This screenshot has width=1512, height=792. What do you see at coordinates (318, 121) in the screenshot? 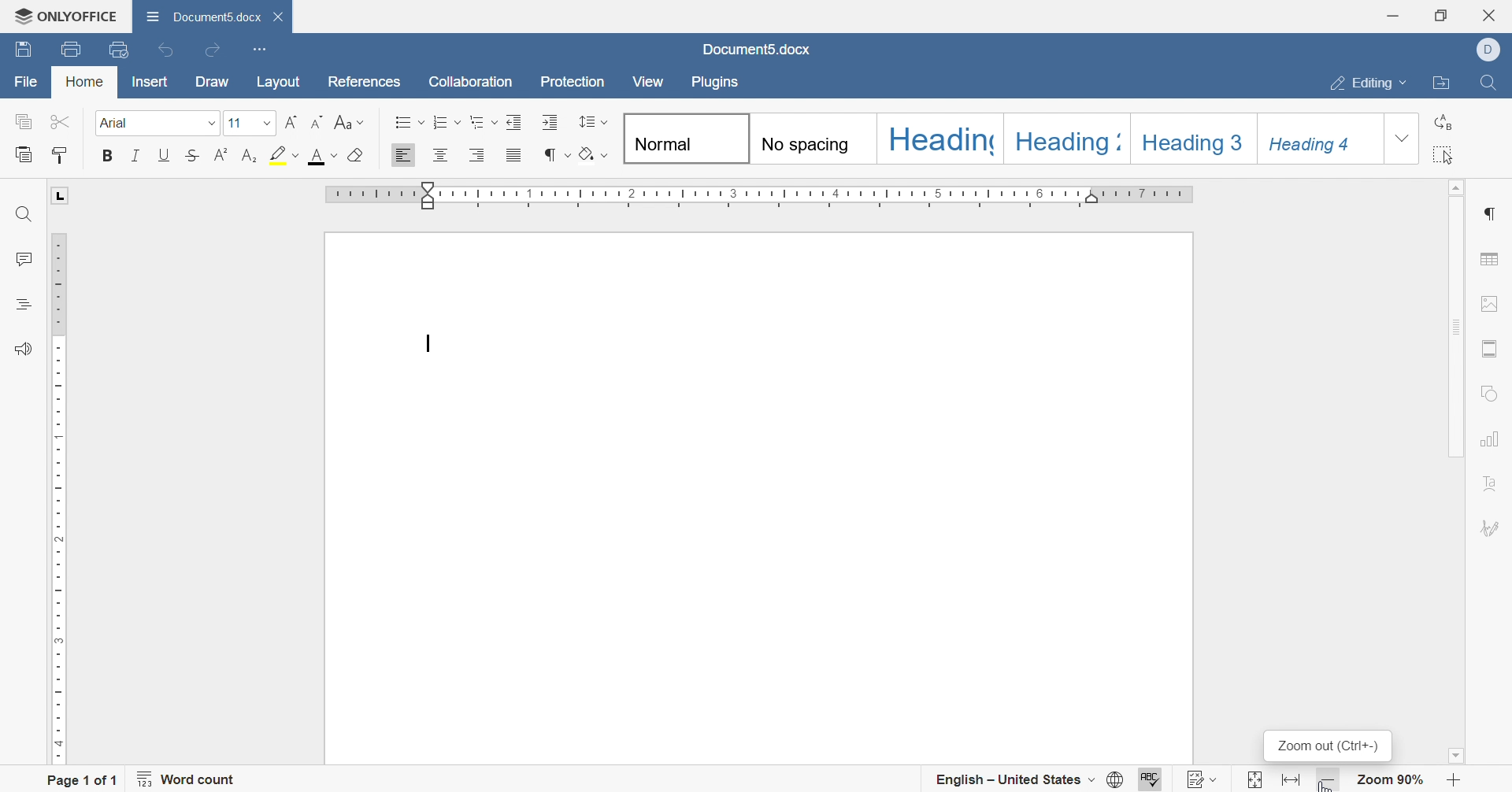
I see `decrement font size` at bounding box center [318, 121].